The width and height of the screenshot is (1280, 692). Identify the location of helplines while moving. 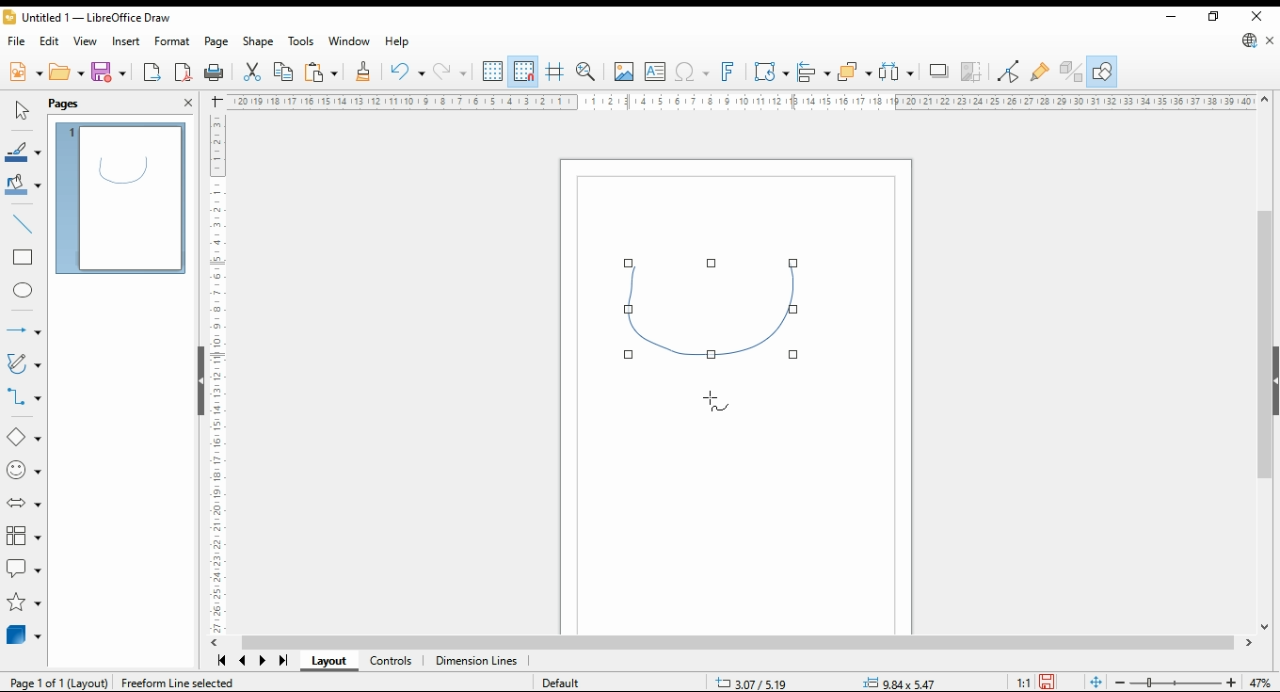
(554, 72).